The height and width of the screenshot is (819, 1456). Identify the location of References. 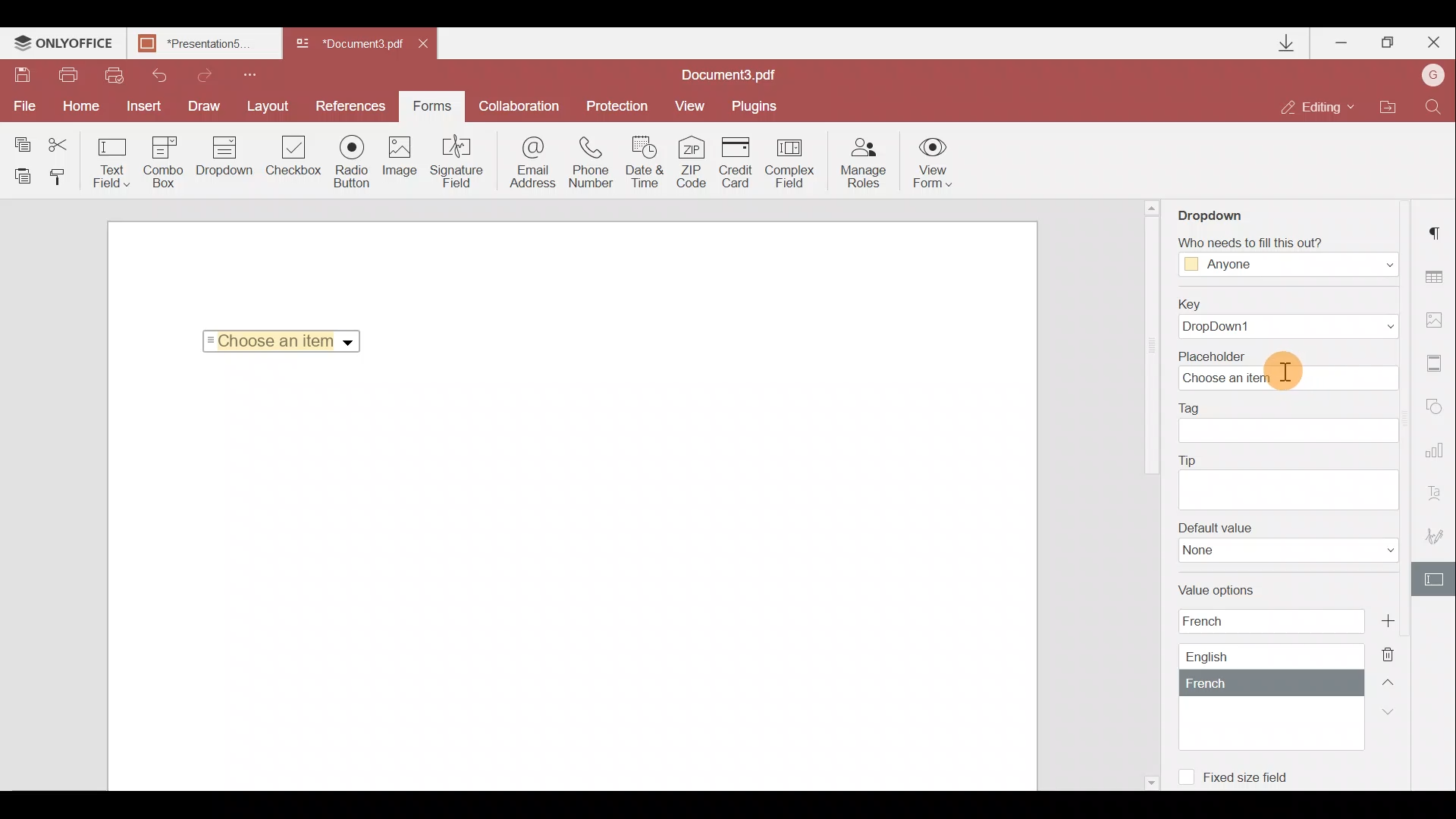
(353, 105).